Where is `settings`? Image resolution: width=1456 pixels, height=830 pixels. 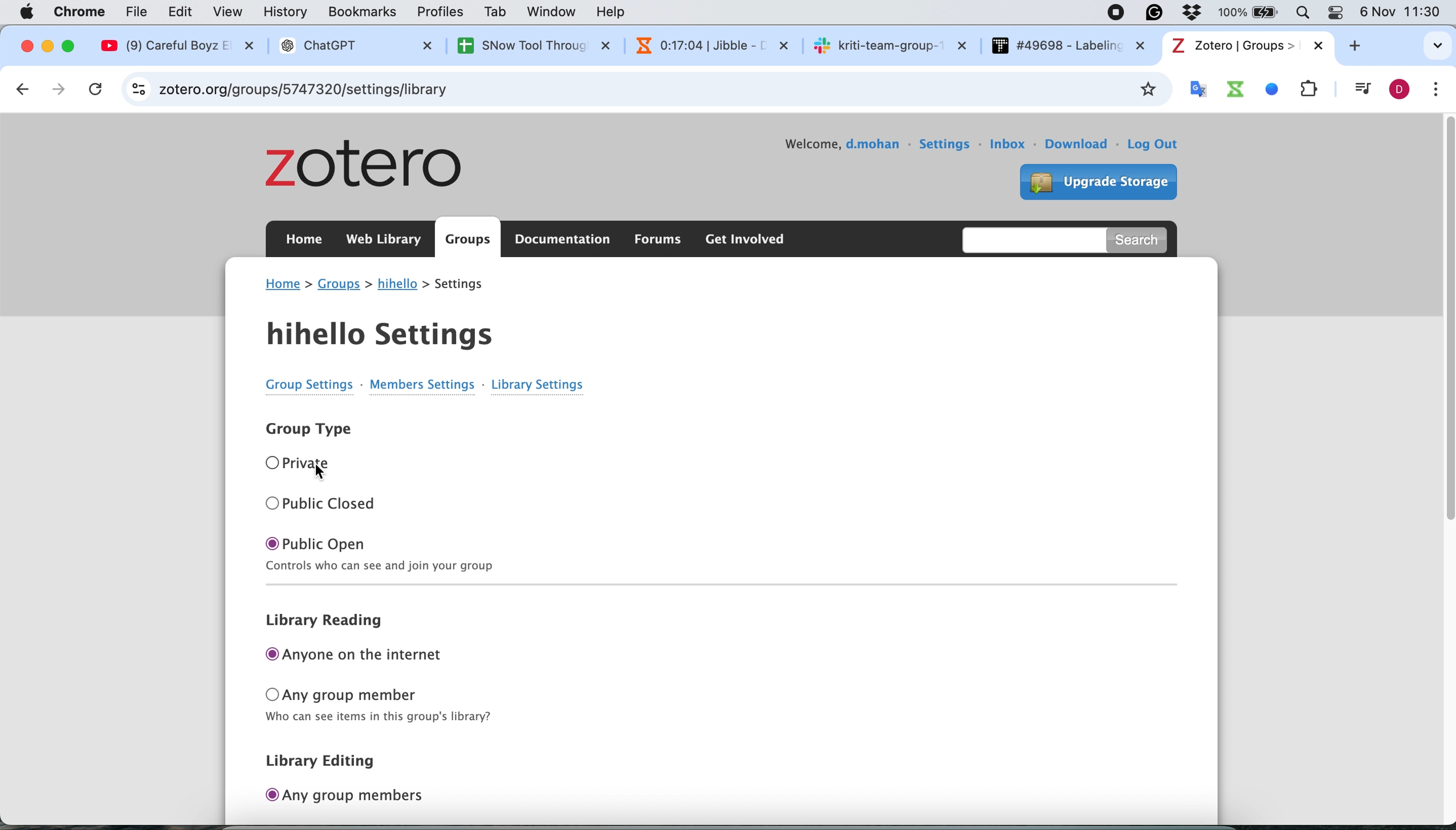 settings is located at coordinates (467, 285).